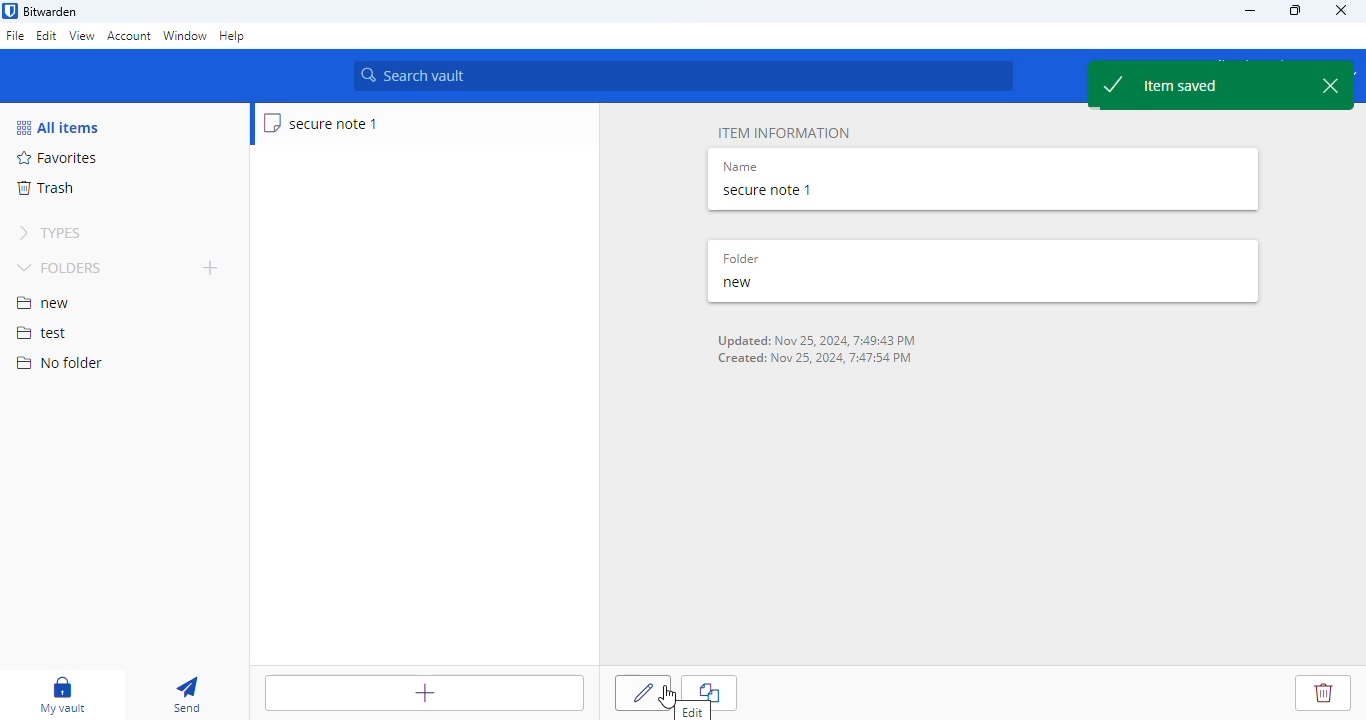 The height and width of the screenshot is (720, 1366). Describe the element at coordinates (15, 37) in the screenshot. I see `file` at that location.